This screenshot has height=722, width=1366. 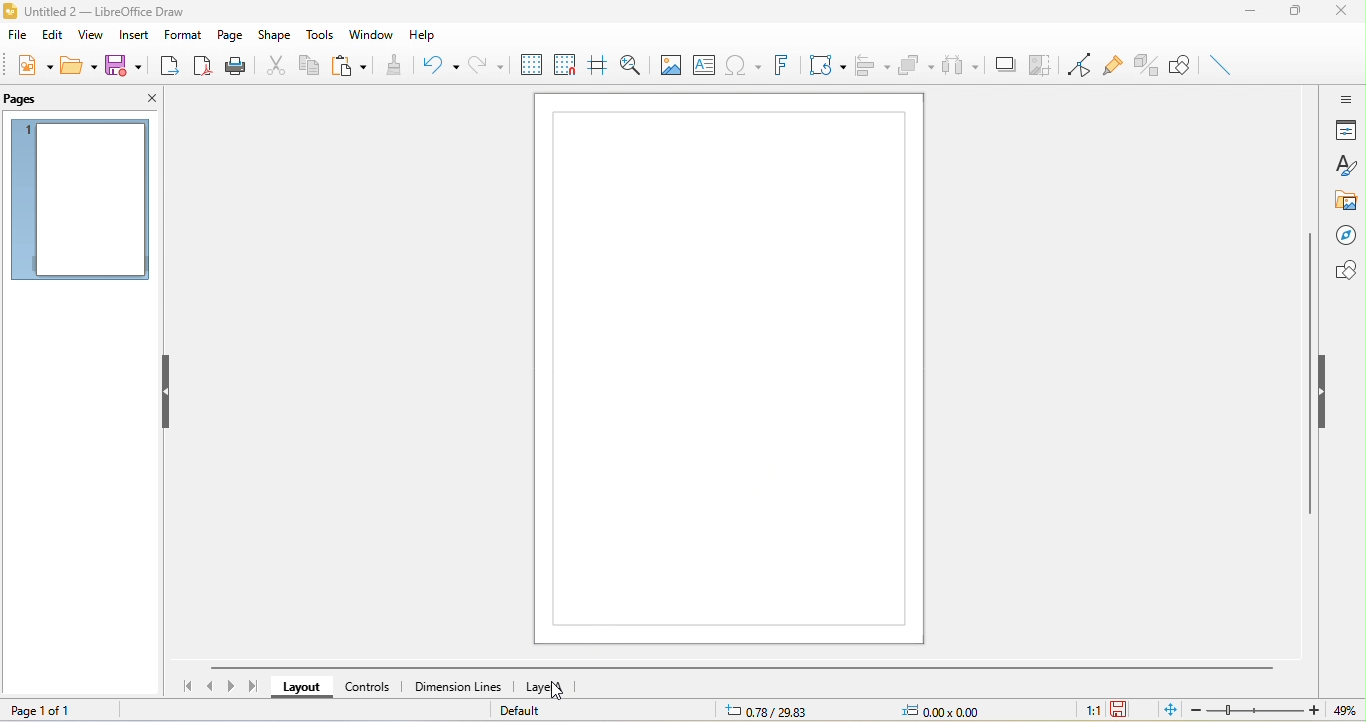 I want to click on helpline while moving, so click(x=596, y=68).